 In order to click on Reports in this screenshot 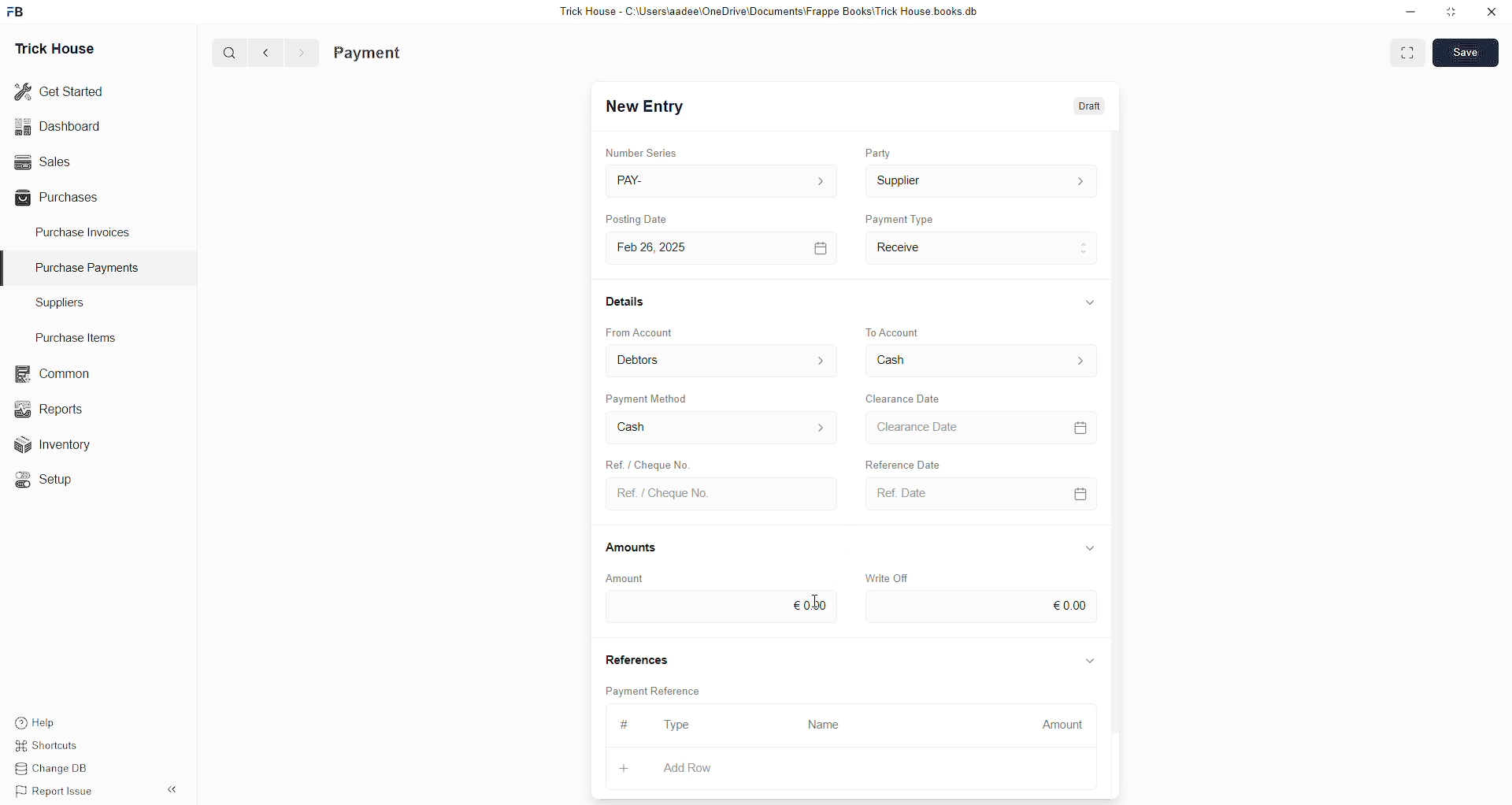, I will do `click(50, 408)`.